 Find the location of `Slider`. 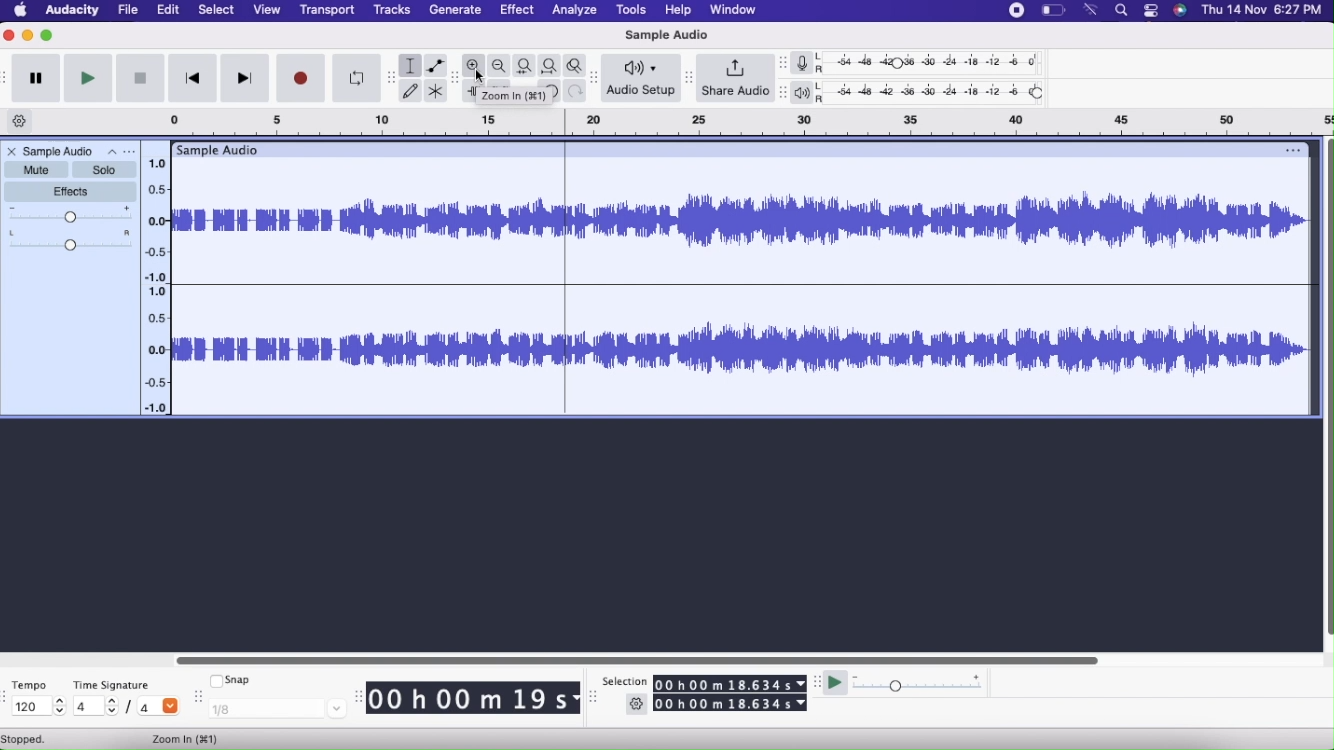

Slider is located at coordinates (1326, 384).